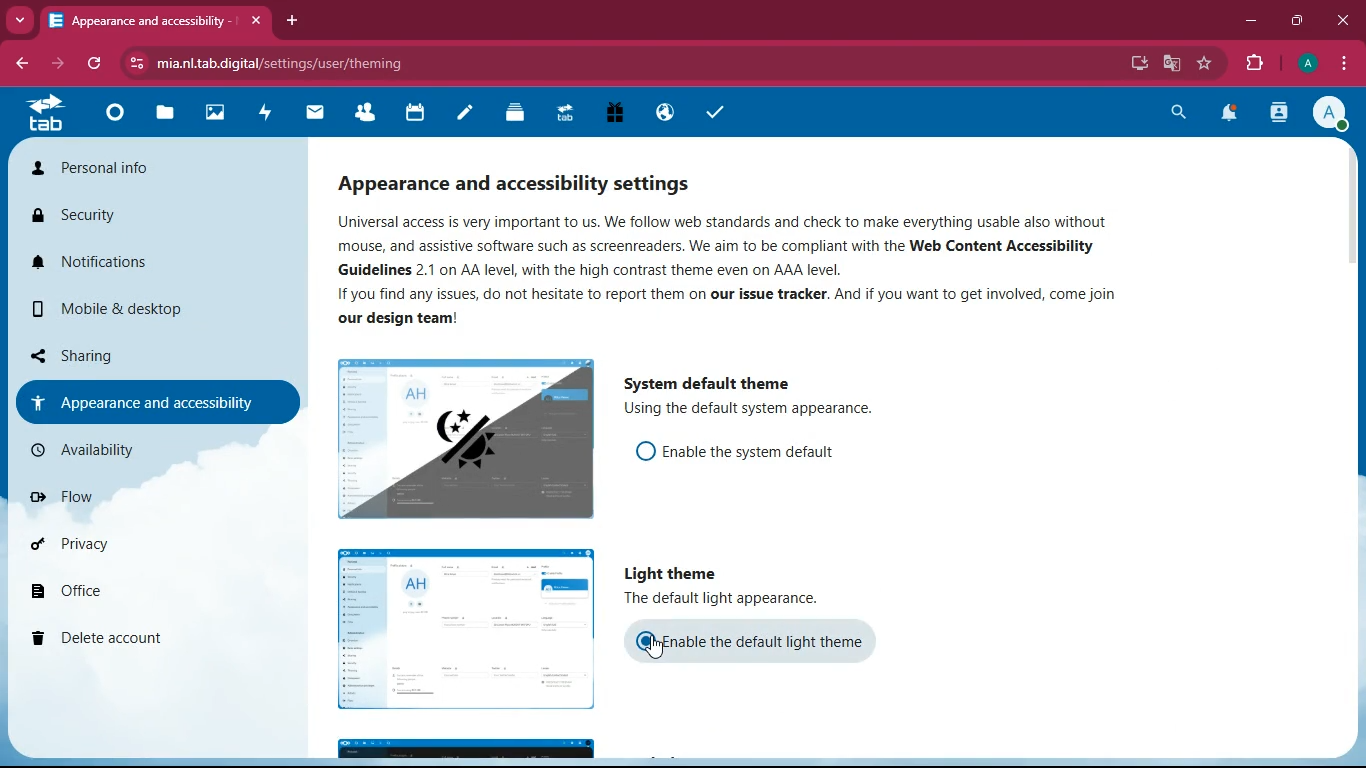 This screenshot has width=1366, height=768. Describe the element at coordinates (155, 269) in the screenshot. I see `notifications` at that location.